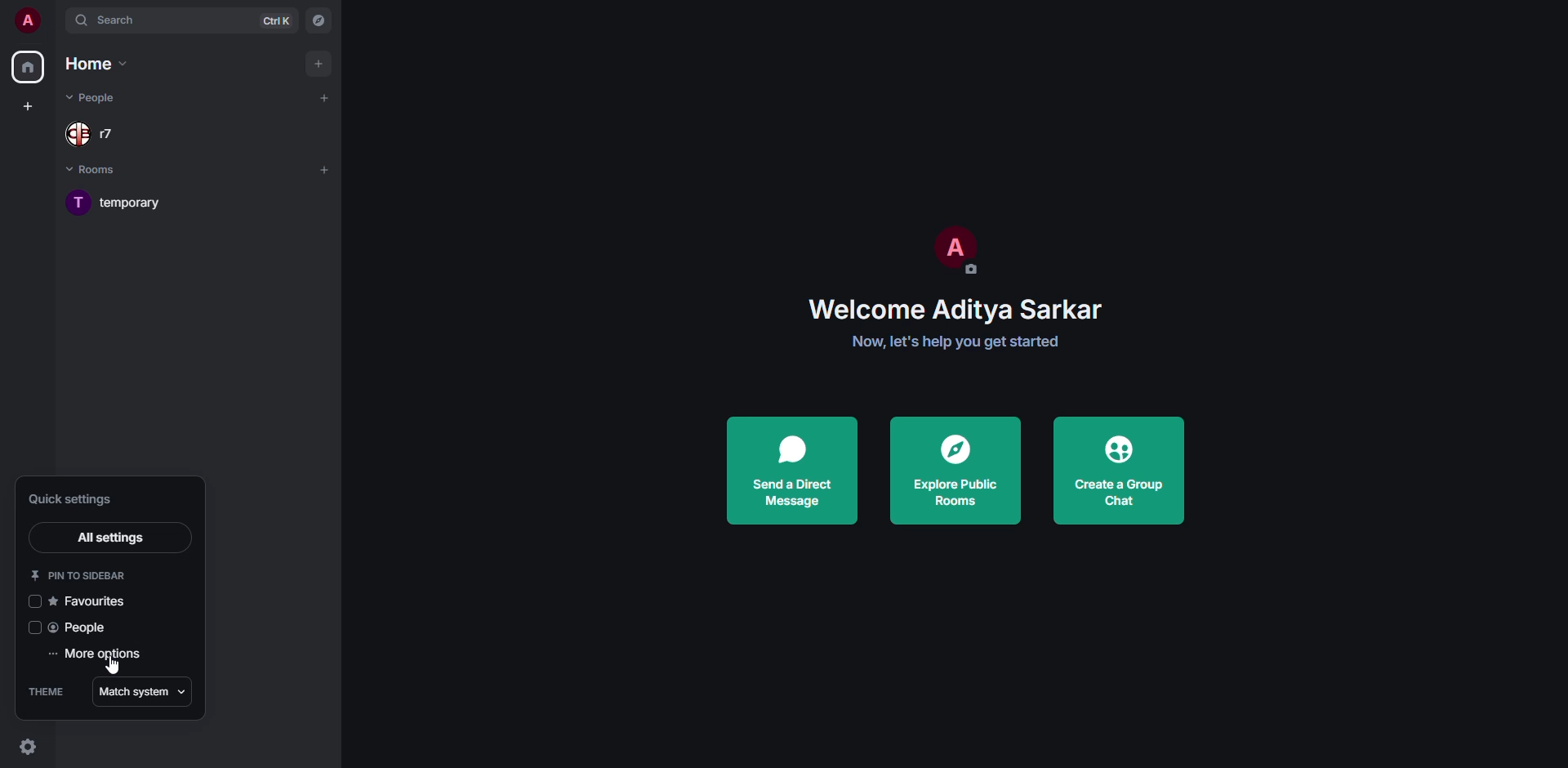 The width and height of the screenshot is (1568, 768). What do you see at coordinates (958, 307) in the screenshot?
I see `Welcome Aditya Sarkar` at bounding box center [958, 307].